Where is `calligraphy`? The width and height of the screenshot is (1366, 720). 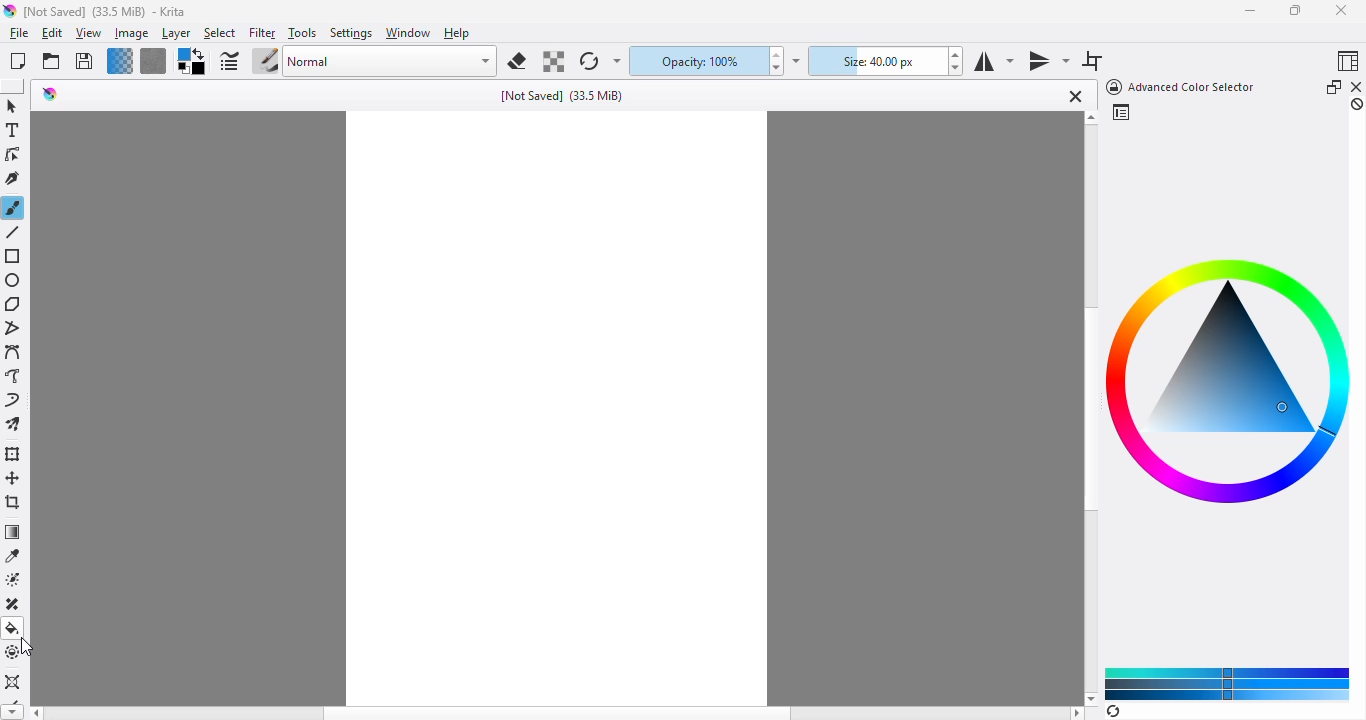
calligraphy is located at coordinates (13, 178).